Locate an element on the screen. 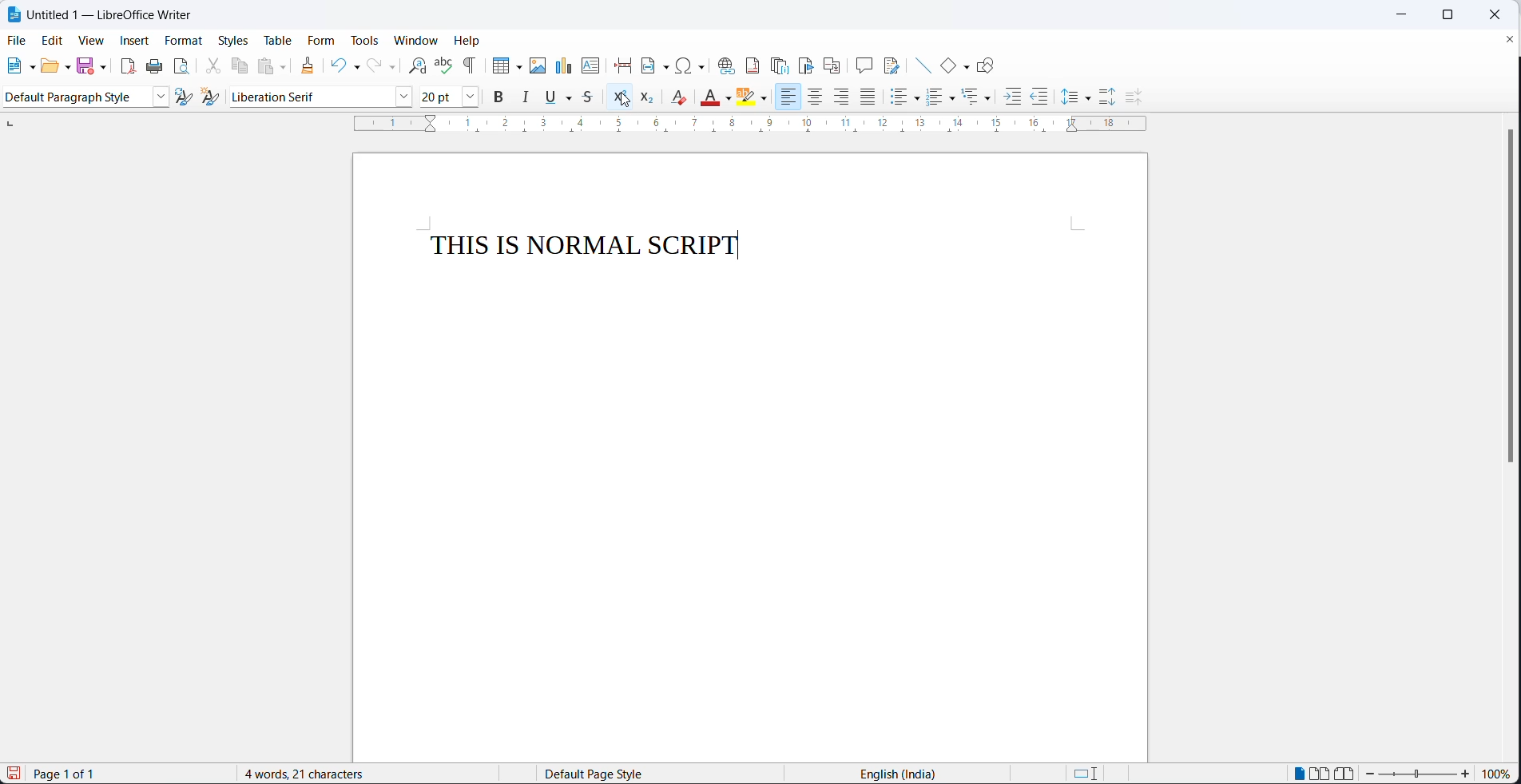  insert special characters is located at coordinates (693, 65).